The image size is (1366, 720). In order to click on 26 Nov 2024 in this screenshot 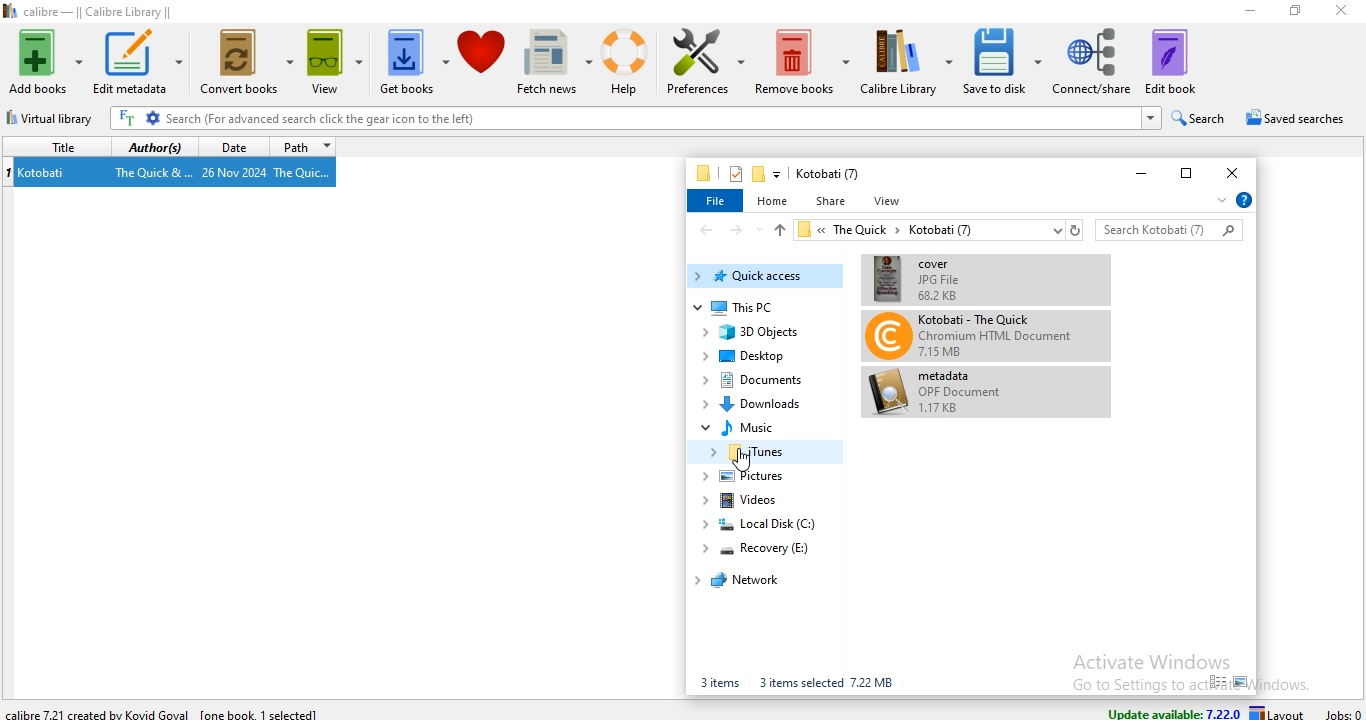, I will do `click(235, 172)`.